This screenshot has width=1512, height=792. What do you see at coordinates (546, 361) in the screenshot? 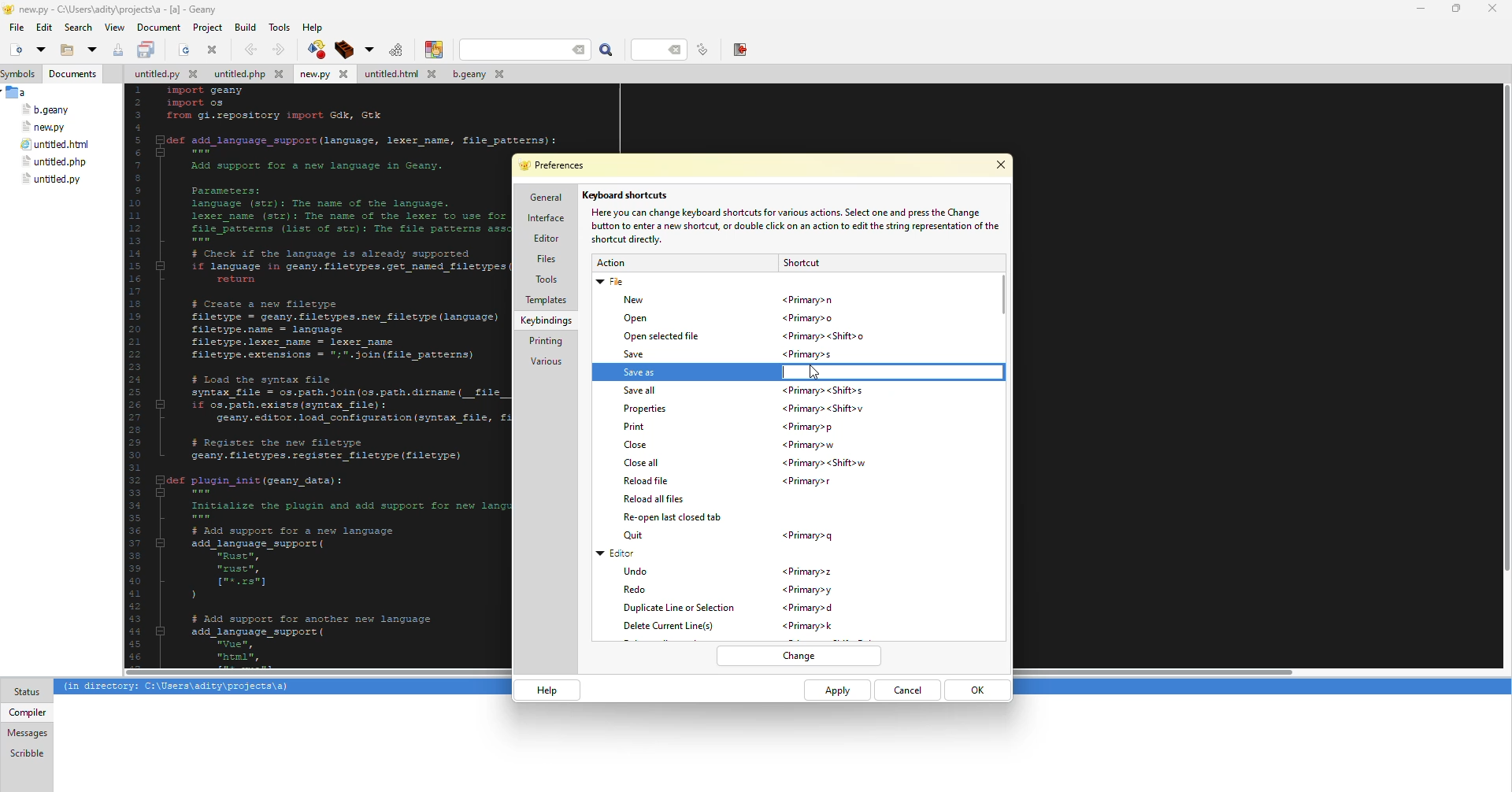
I see `various` at bounding box center [546, 361].